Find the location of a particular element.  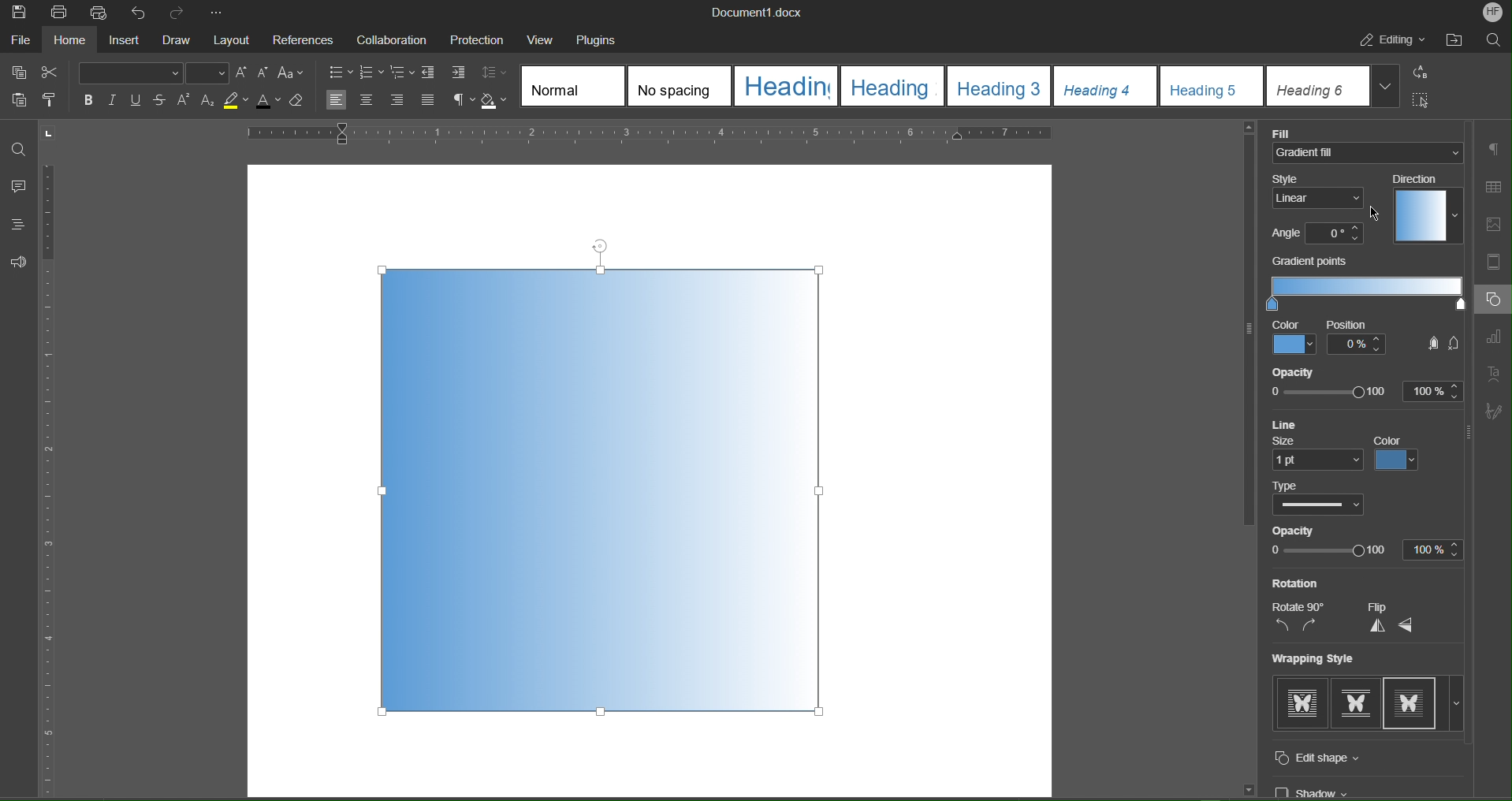

File is located at coordinates (20, 39).